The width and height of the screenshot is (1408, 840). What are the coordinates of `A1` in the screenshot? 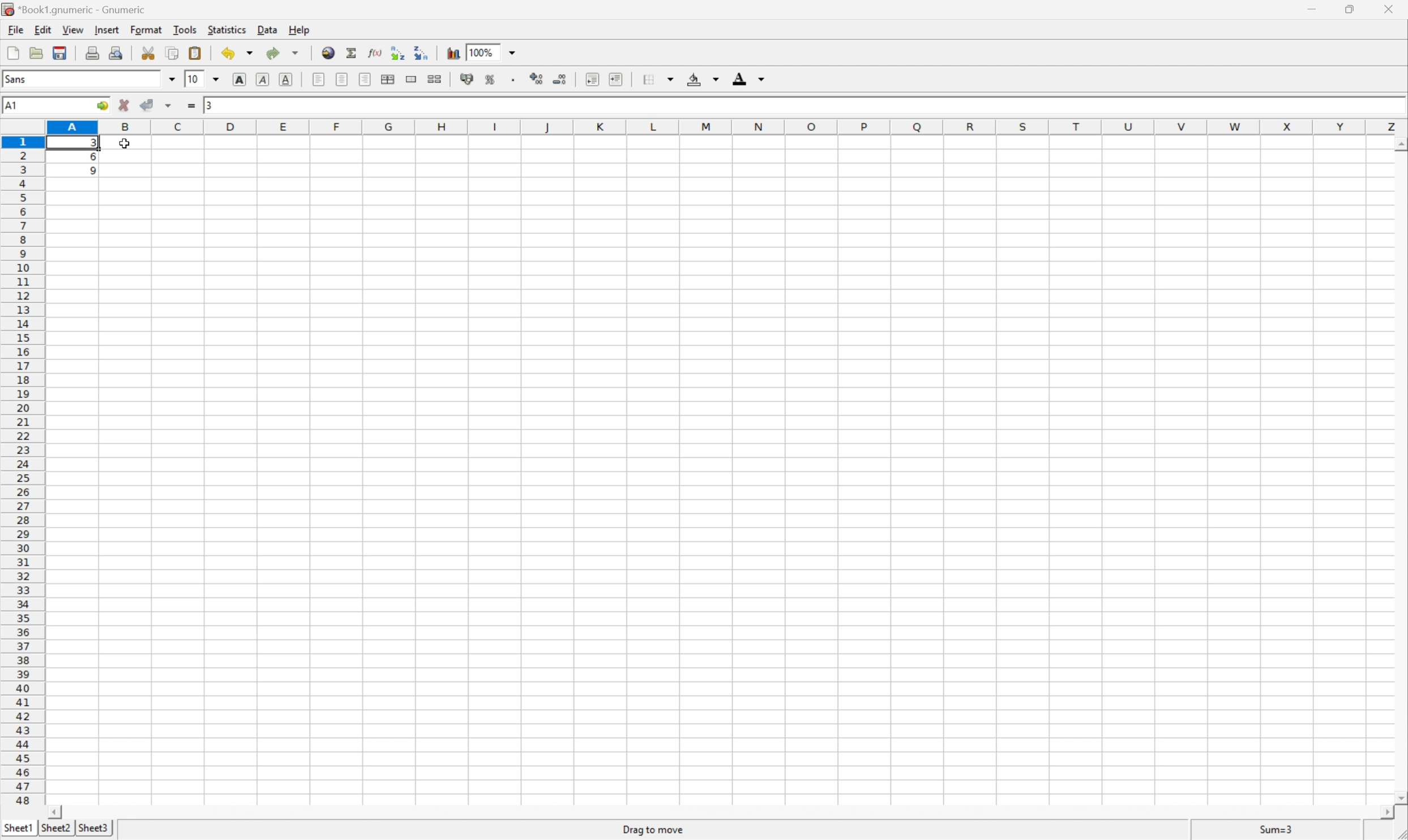 It's located at (10, 107).